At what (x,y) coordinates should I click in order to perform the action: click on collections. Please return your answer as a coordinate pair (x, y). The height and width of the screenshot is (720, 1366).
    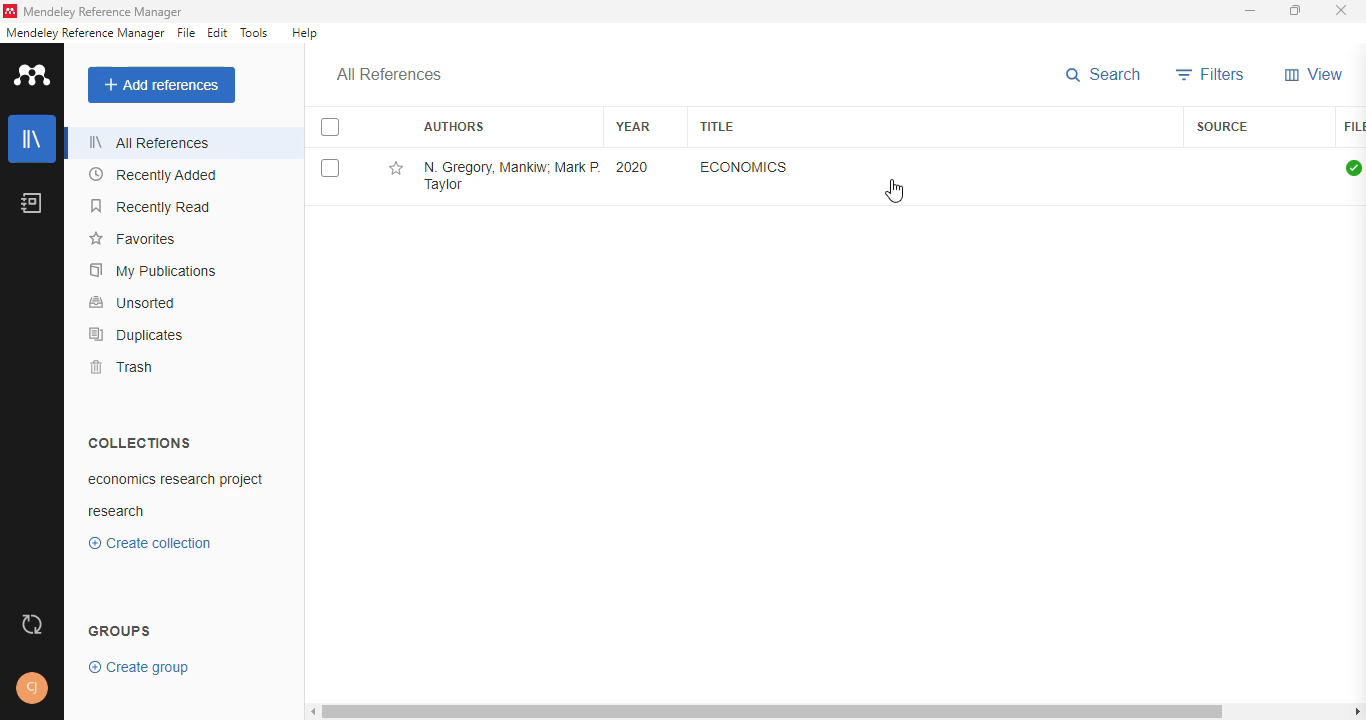
    Looking at the image, I should click on (140, 442).